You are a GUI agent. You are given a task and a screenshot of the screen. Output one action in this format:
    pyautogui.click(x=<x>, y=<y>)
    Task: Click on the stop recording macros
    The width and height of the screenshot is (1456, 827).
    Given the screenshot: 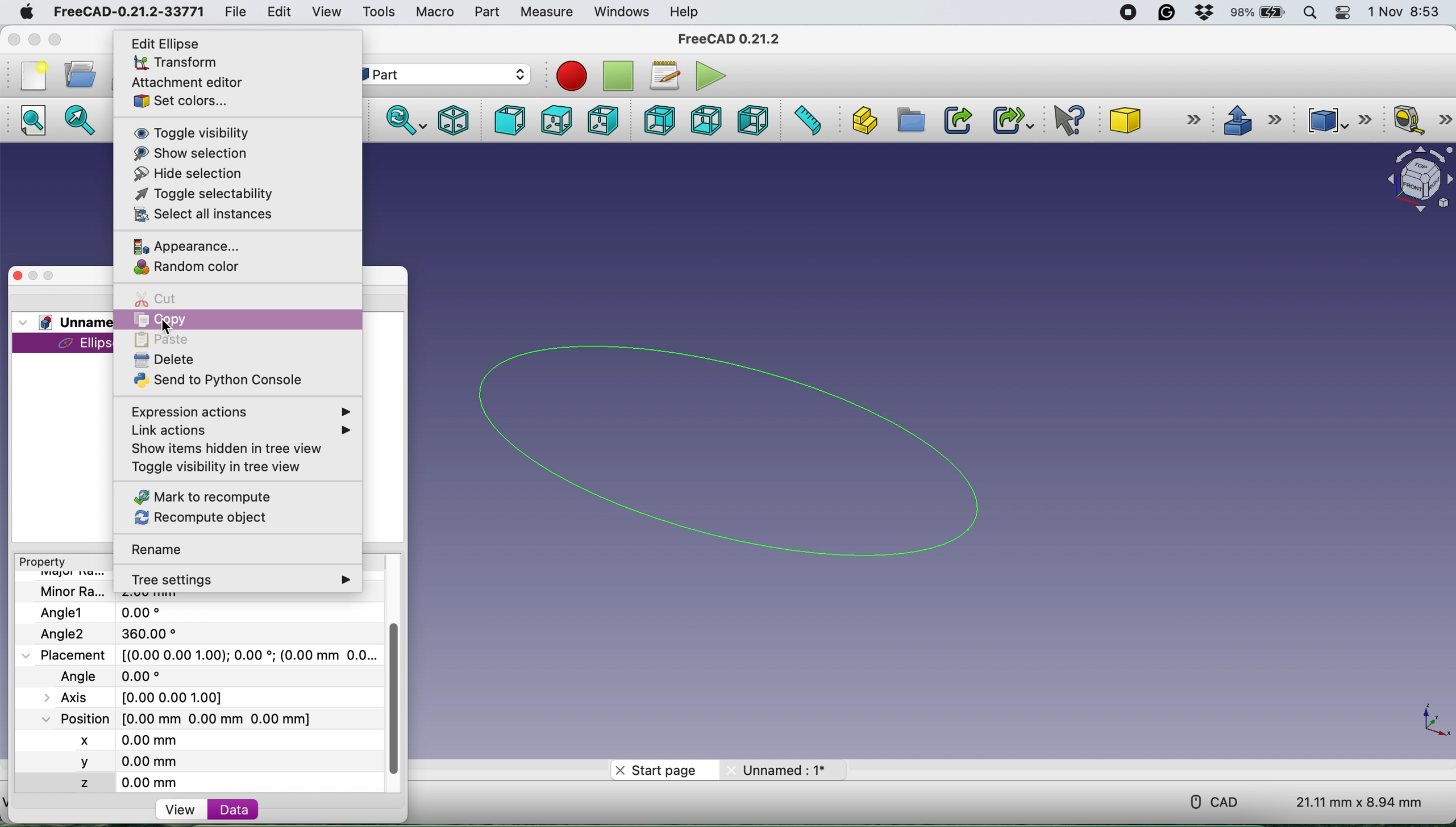 What is the action you would take?
    pyautogui.click(x=621, y=75)
    